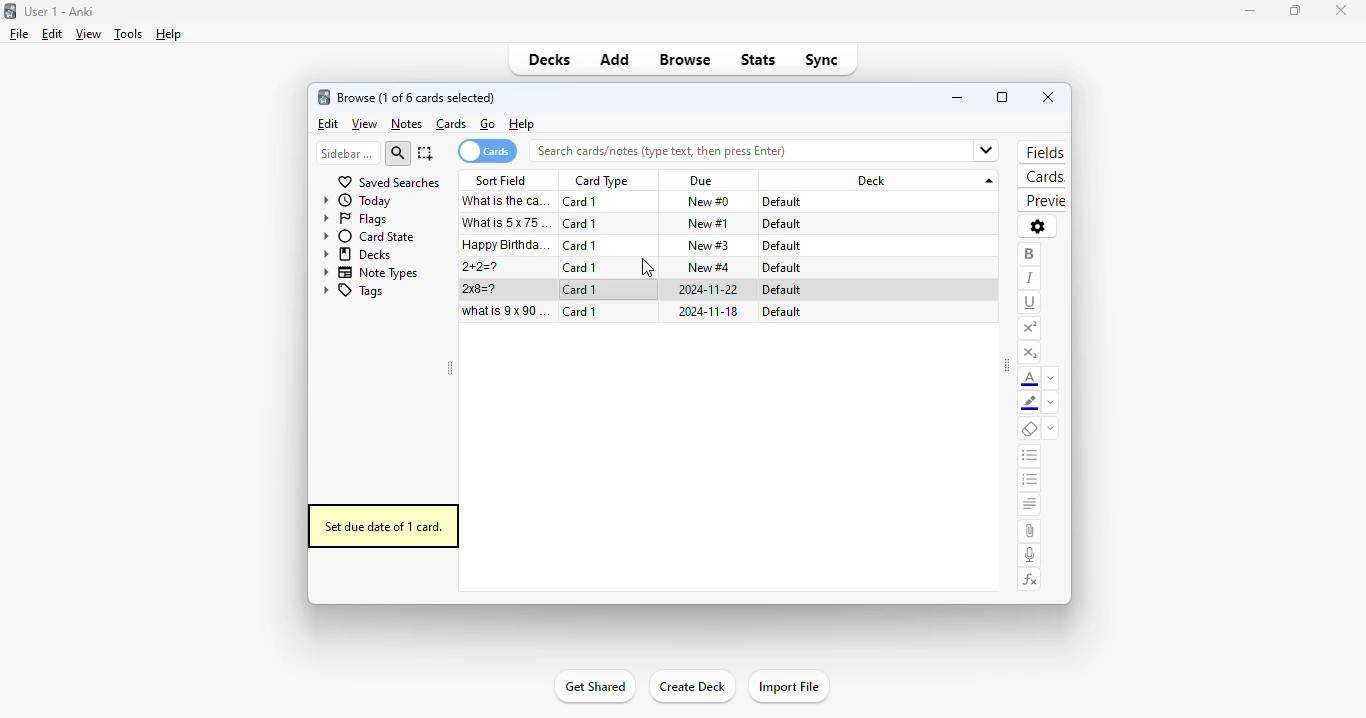 This screenshot has height=718, width=1366. I want to click on minimize, so click(1244, 11).